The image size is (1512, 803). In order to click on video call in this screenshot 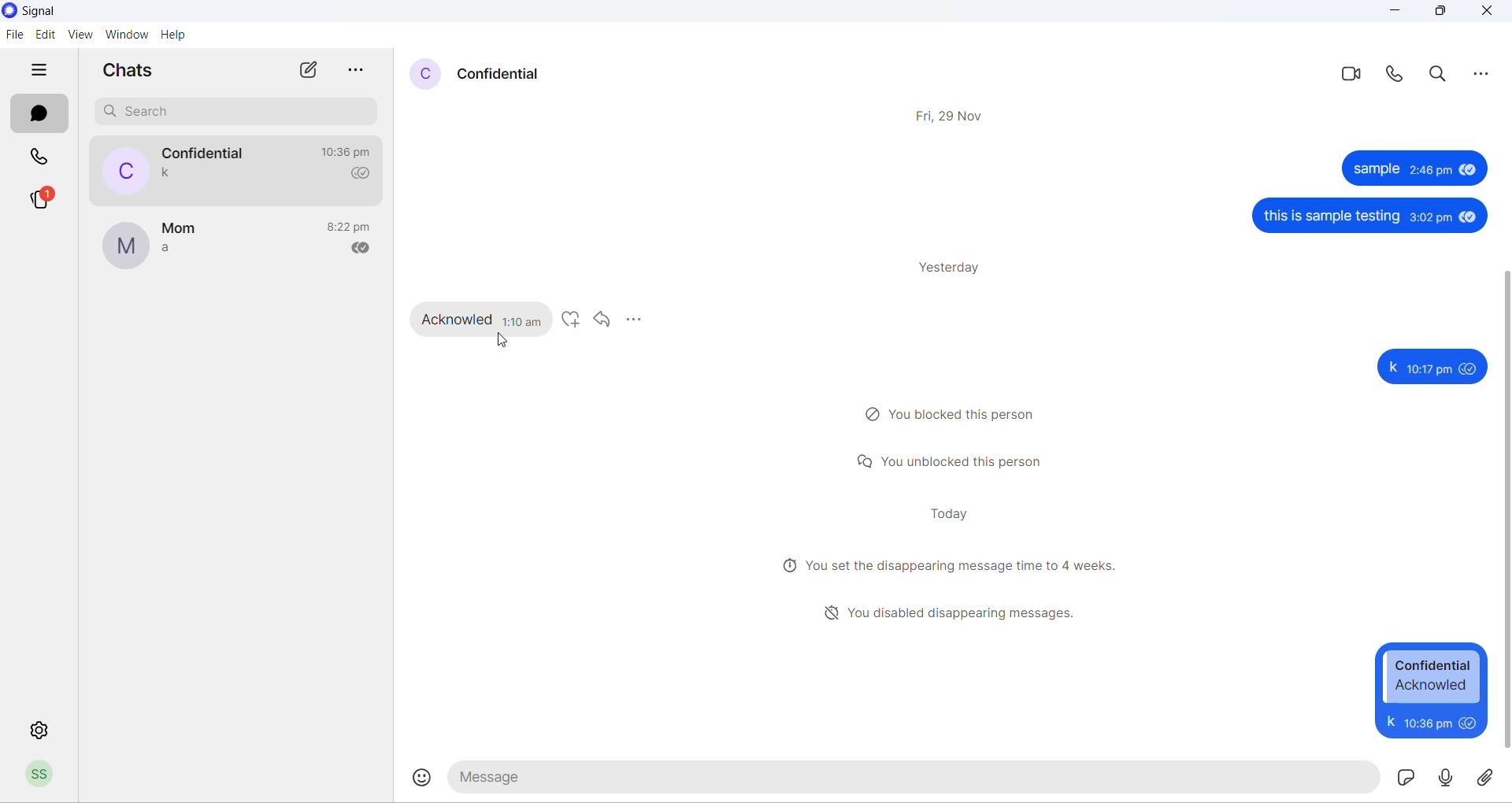, I will do `click(1349, 73)`.